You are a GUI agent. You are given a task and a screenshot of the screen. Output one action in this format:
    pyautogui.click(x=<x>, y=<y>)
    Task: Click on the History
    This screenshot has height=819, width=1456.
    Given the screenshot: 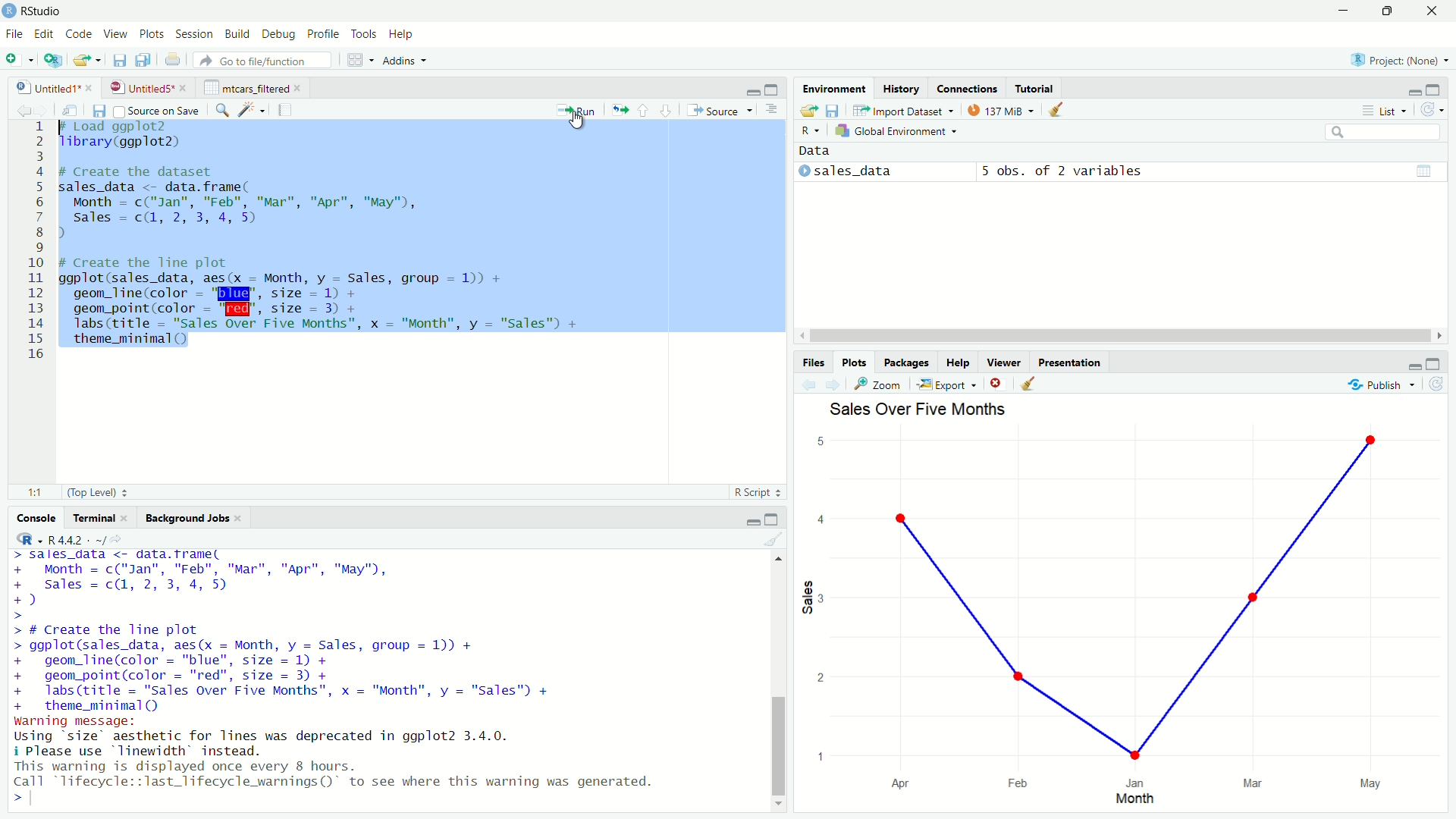 What is the action you would take?
    pyautogui.click(x=900, y=89)
    